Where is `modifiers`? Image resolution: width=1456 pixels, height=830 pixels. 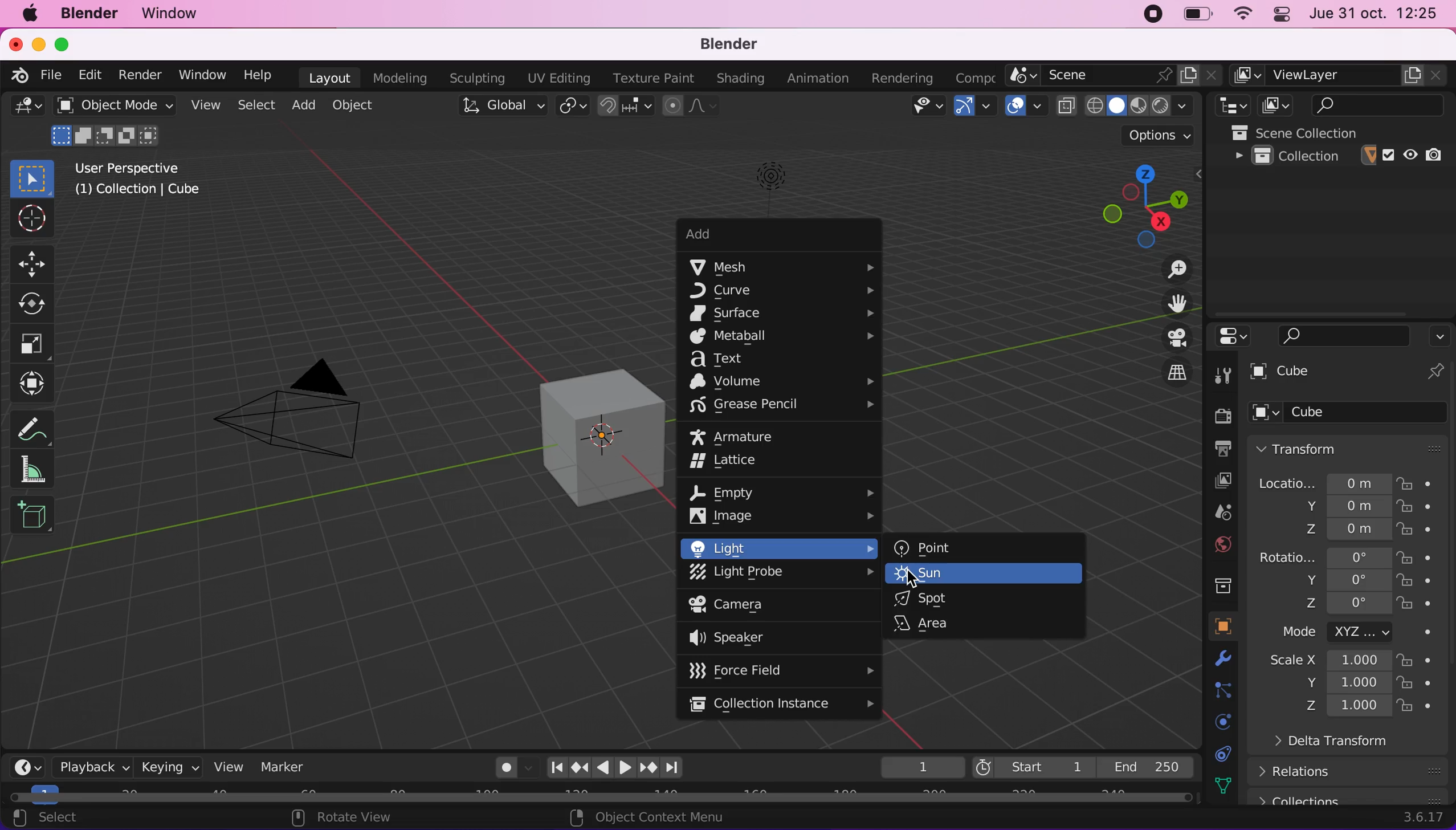 modifiers is located at coordinates (1214, 659).